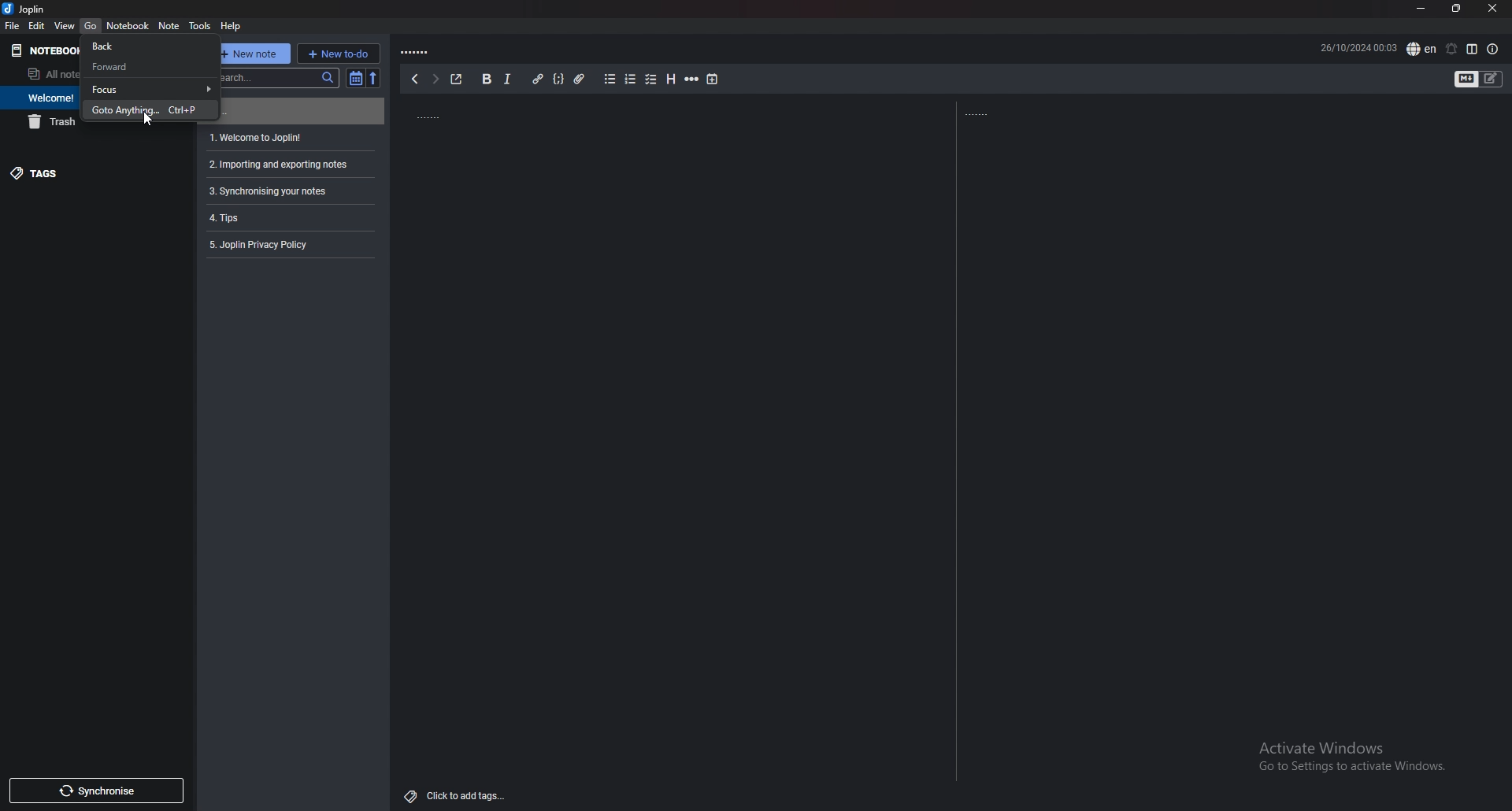 This screenshot has width=1512, height=811. What do you see at coordinates (488, 79) in the screenshot?
I see `bold` at bounding box center [488, 79].